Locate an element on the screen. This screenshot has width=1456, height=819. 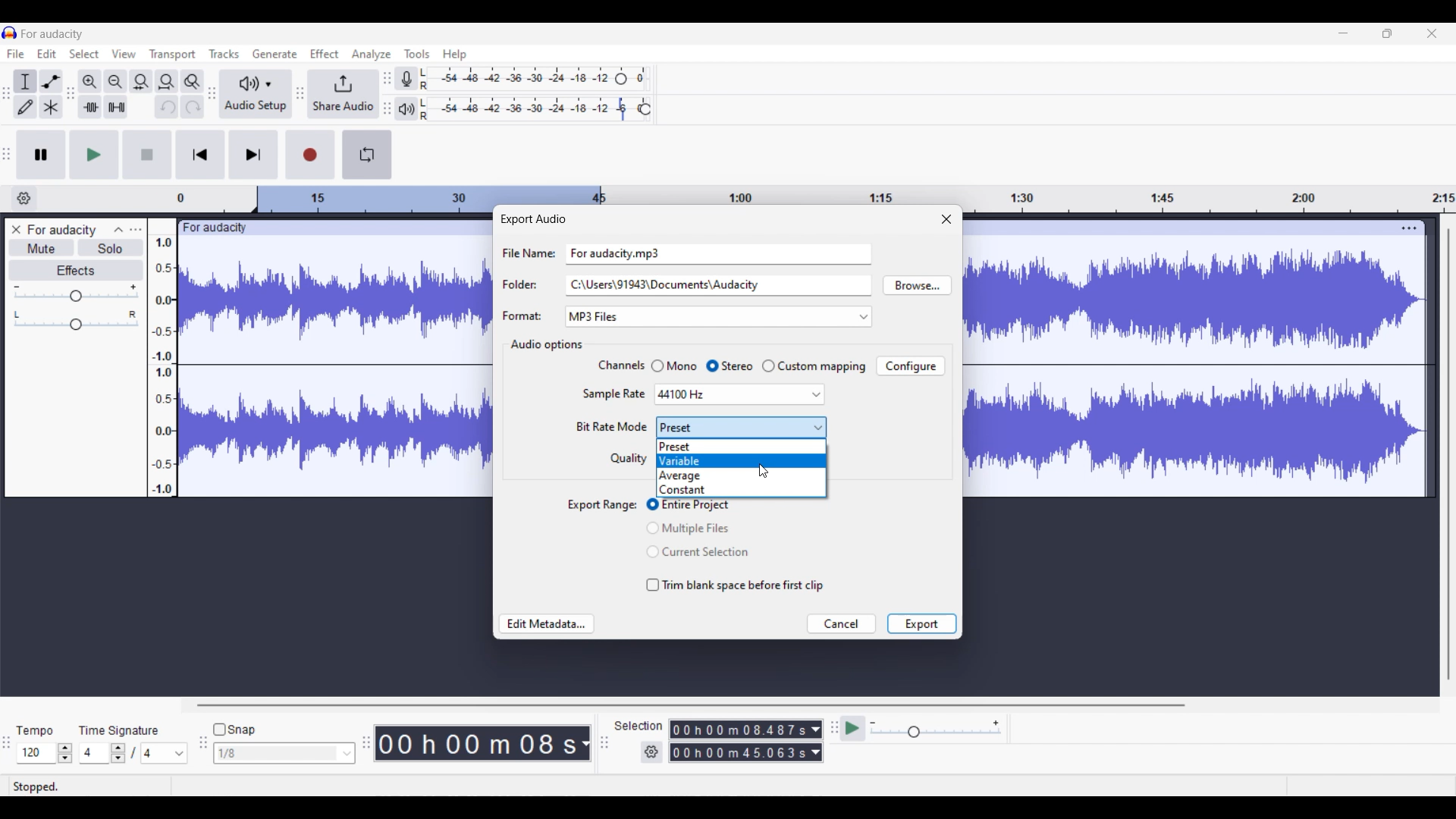
Vertical slide bar is located at coordinates (1449, 454).